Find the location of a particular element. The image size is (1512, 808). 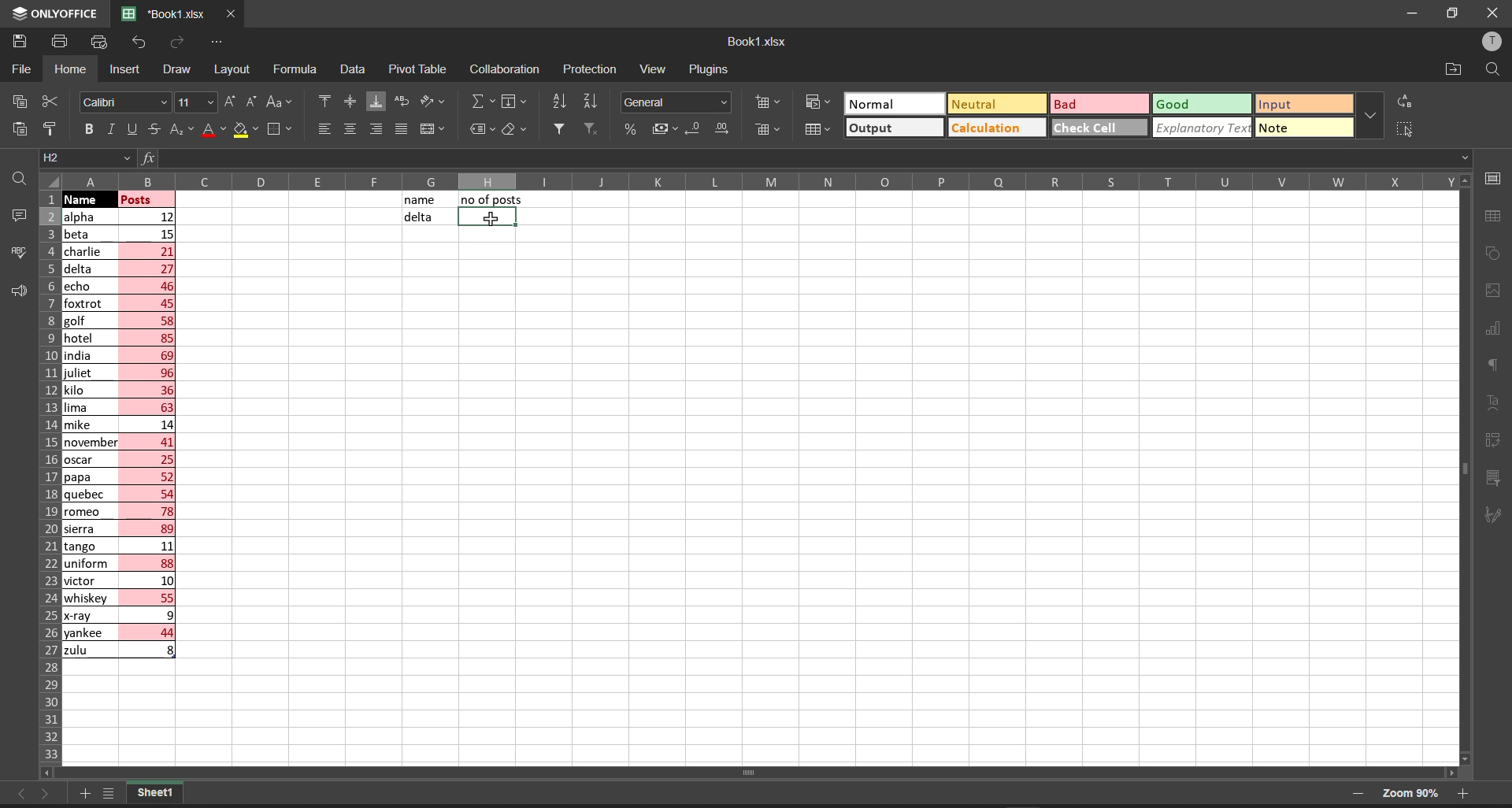

add worksheet is located at coordinates (225, 2075).